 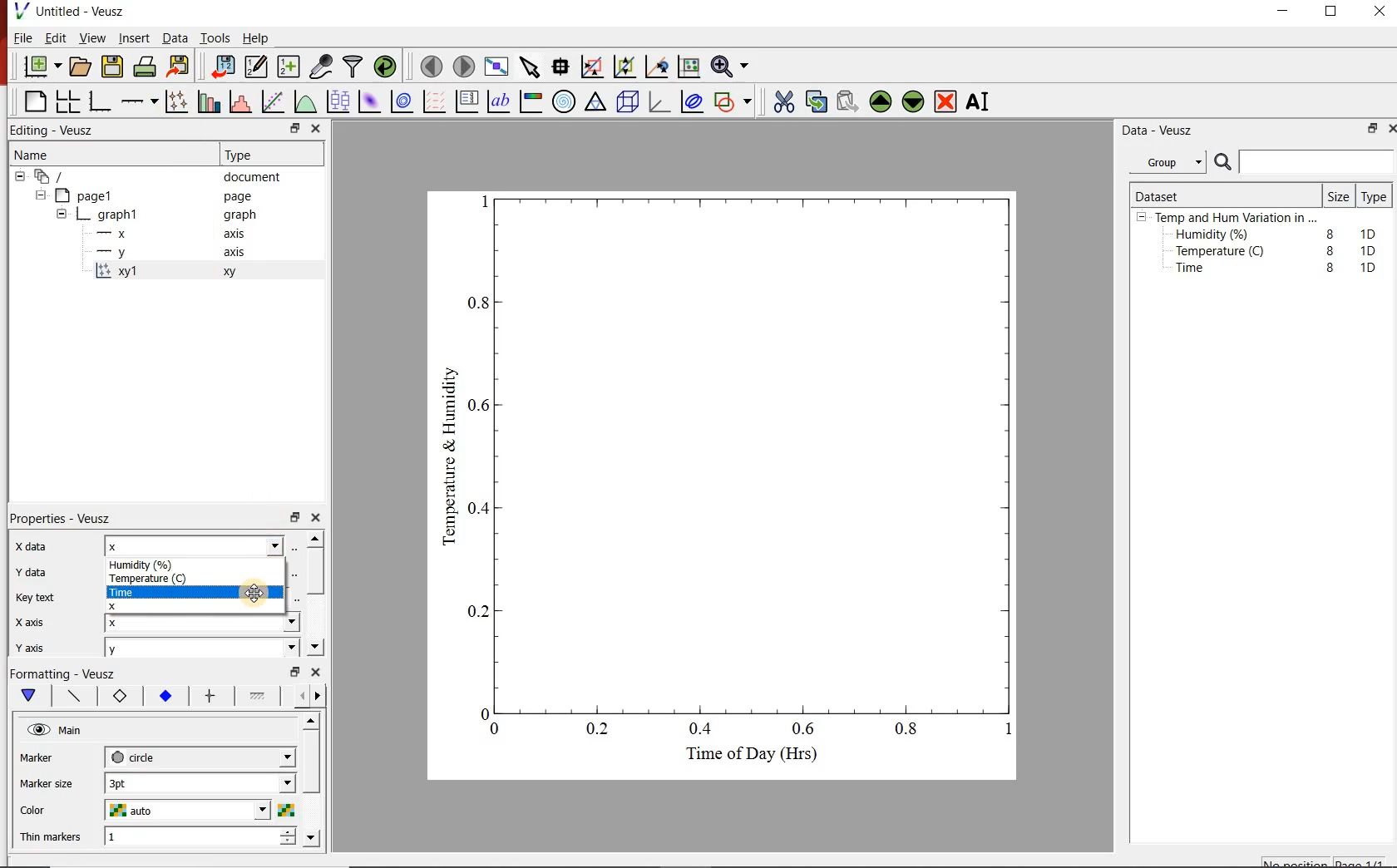 What do you see at coordinates (1003, 732) in the screenshot?
I see `1` at bounding box center [1003, 732].